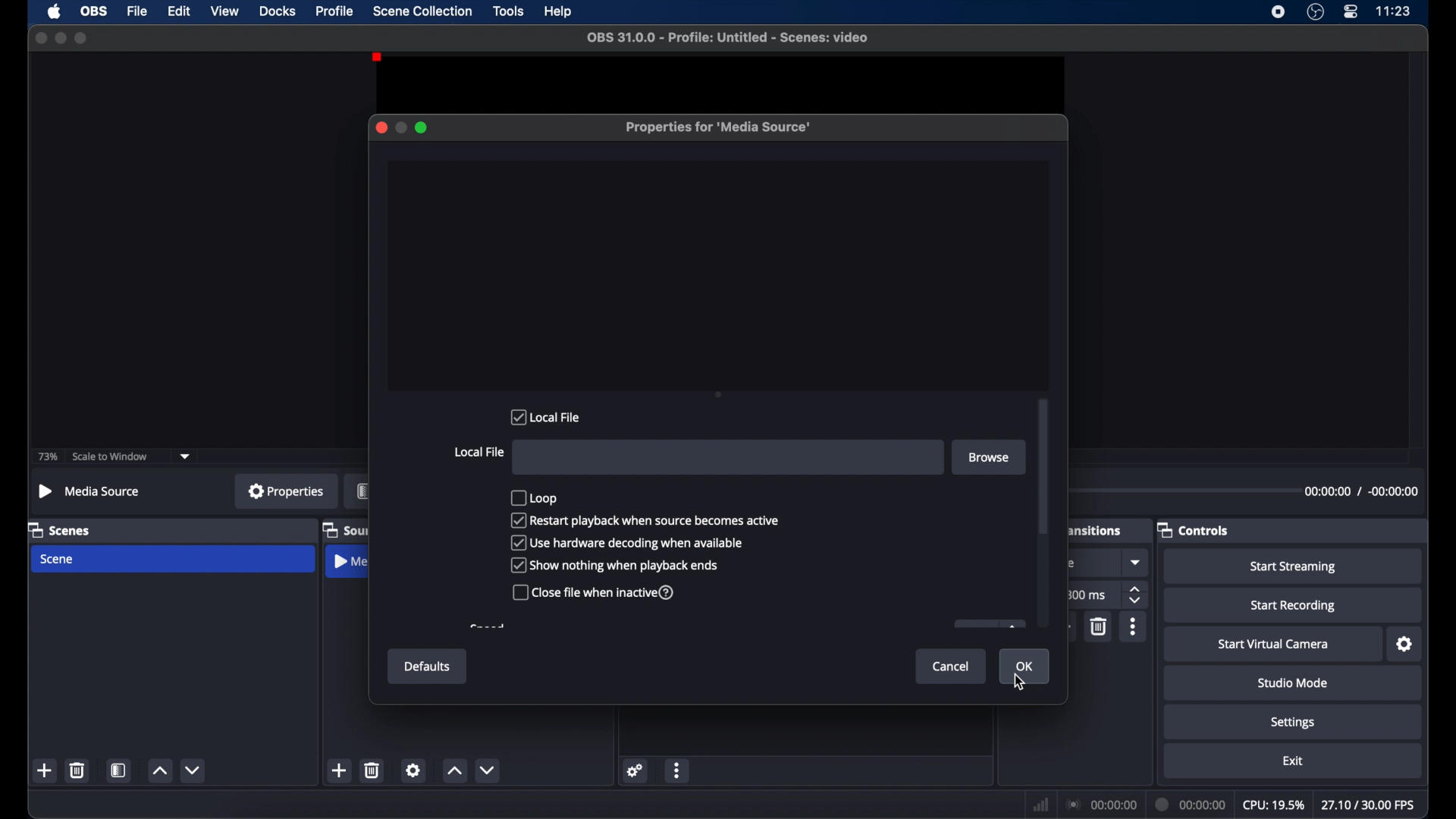 This screenshot has width=1456, height=819. Describe the element at coordinates (428, 667) in the screenshot. I see `defaults` at that location.